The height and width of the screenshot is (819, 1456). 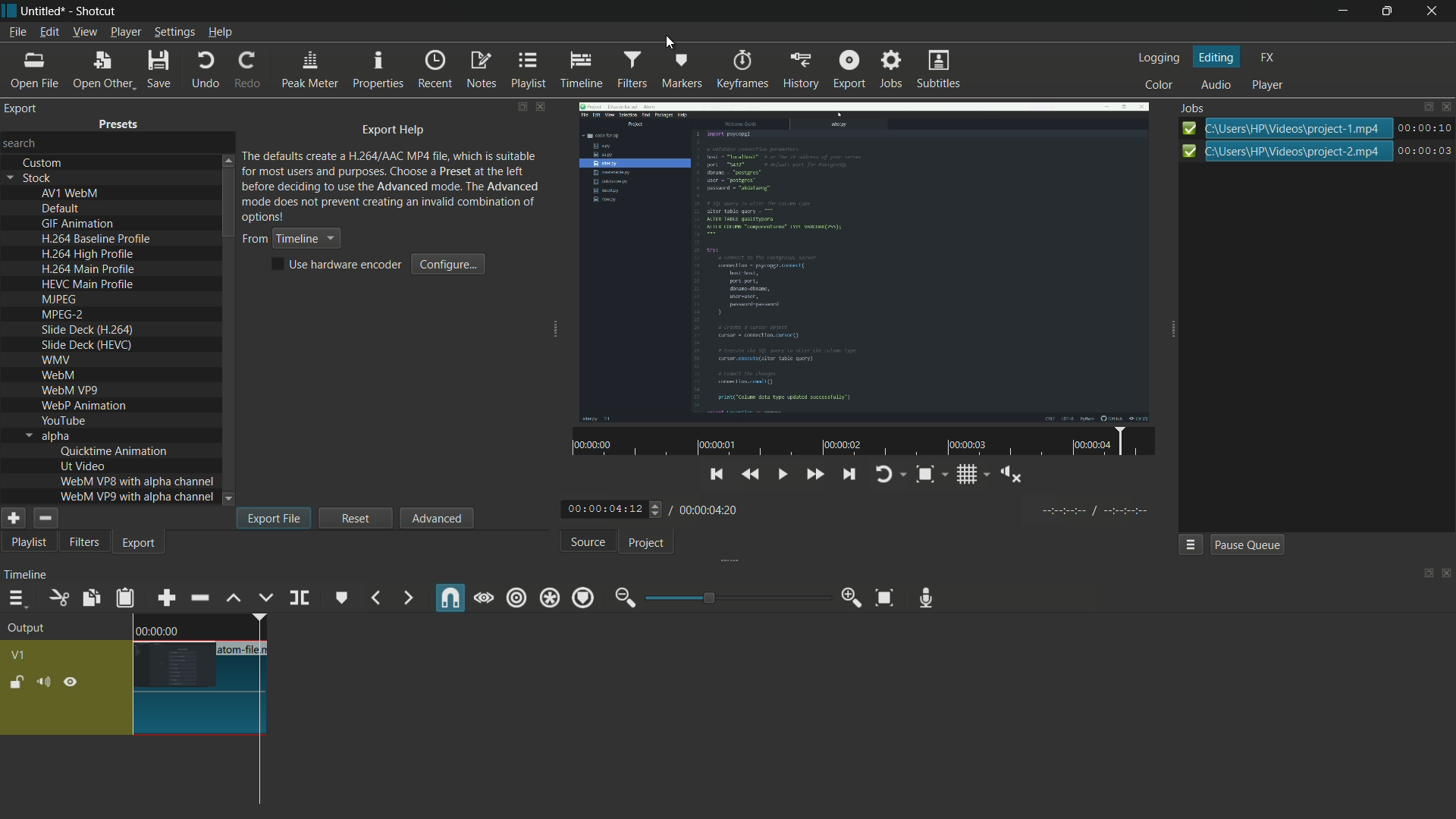 What do you see at coordinates (1389, 11) in the screenshot?
I see `maximize` at bounding box center [1389, 11].